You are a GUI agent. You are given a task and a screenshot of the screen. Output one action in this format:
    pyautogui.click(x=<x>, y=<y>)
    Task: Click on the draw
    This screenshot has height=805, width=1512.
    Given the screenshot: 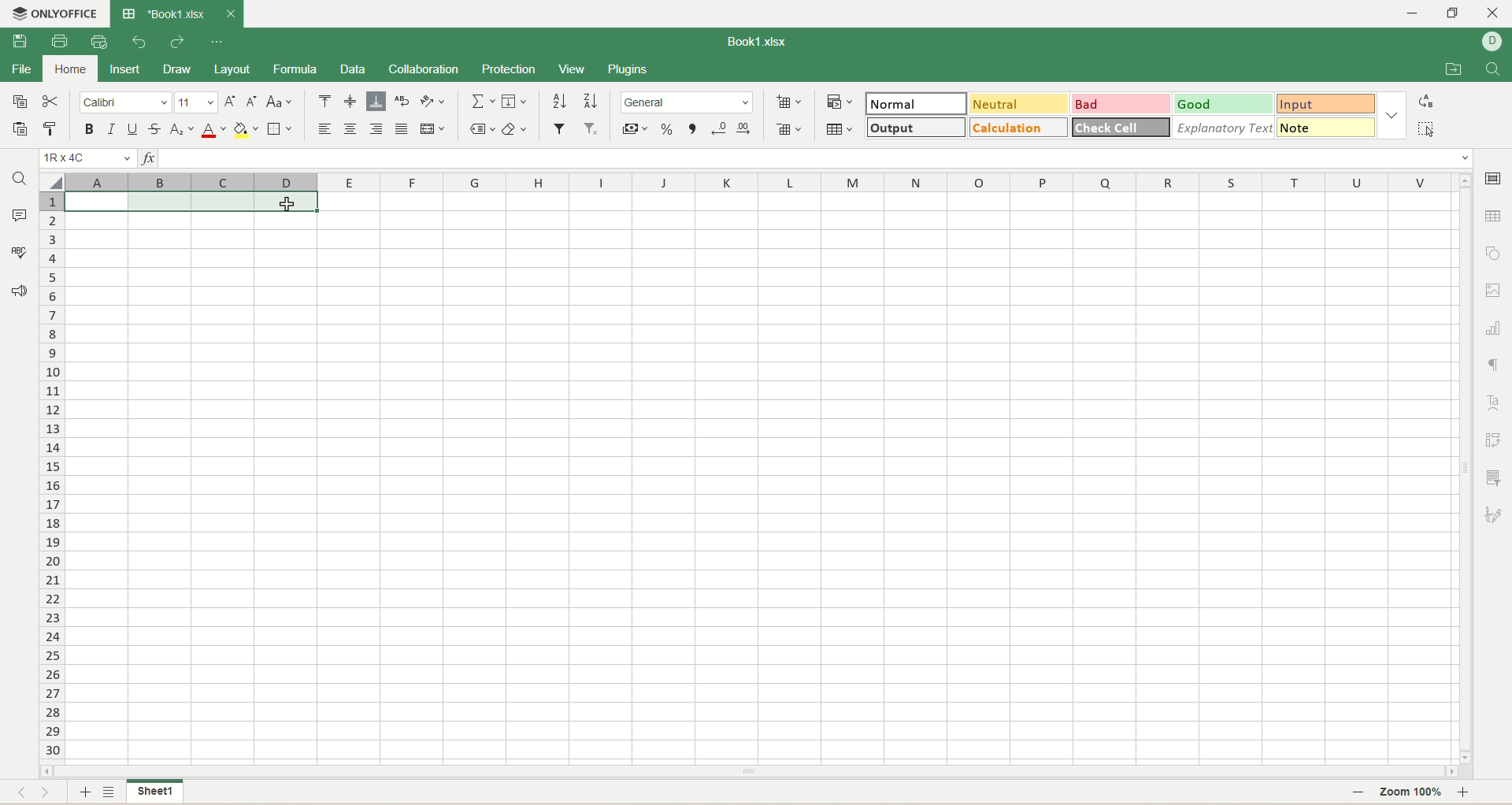 What is the action you would take?
    pyautogui.click(x=176, y=70)
    